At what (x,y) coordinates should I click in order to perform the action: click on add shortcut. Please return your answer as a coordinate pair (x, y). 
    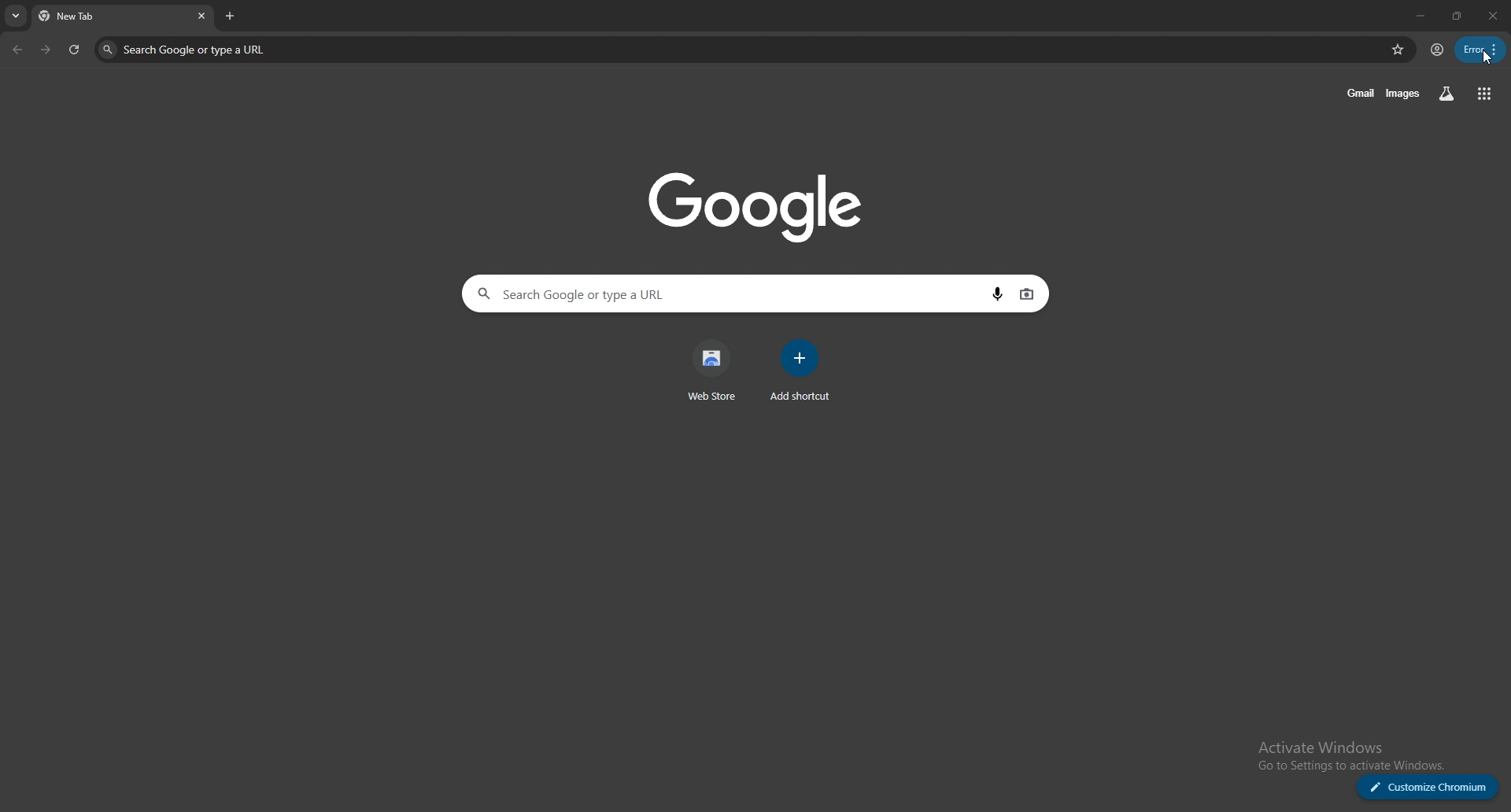
    Looking at the image, I should click on (799, 371).